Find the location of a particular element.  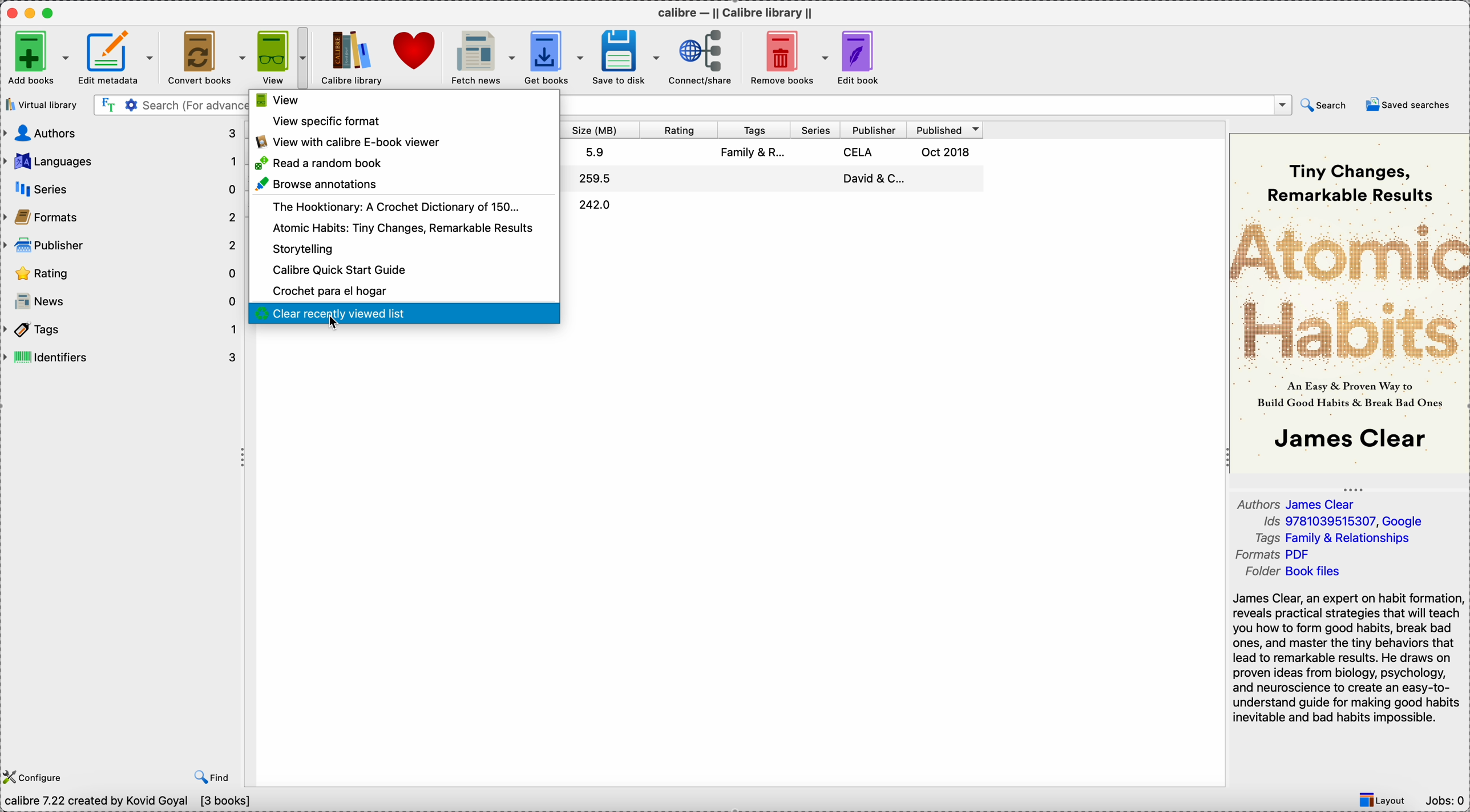

Formats PDF is located at coordinates (1282, 556).